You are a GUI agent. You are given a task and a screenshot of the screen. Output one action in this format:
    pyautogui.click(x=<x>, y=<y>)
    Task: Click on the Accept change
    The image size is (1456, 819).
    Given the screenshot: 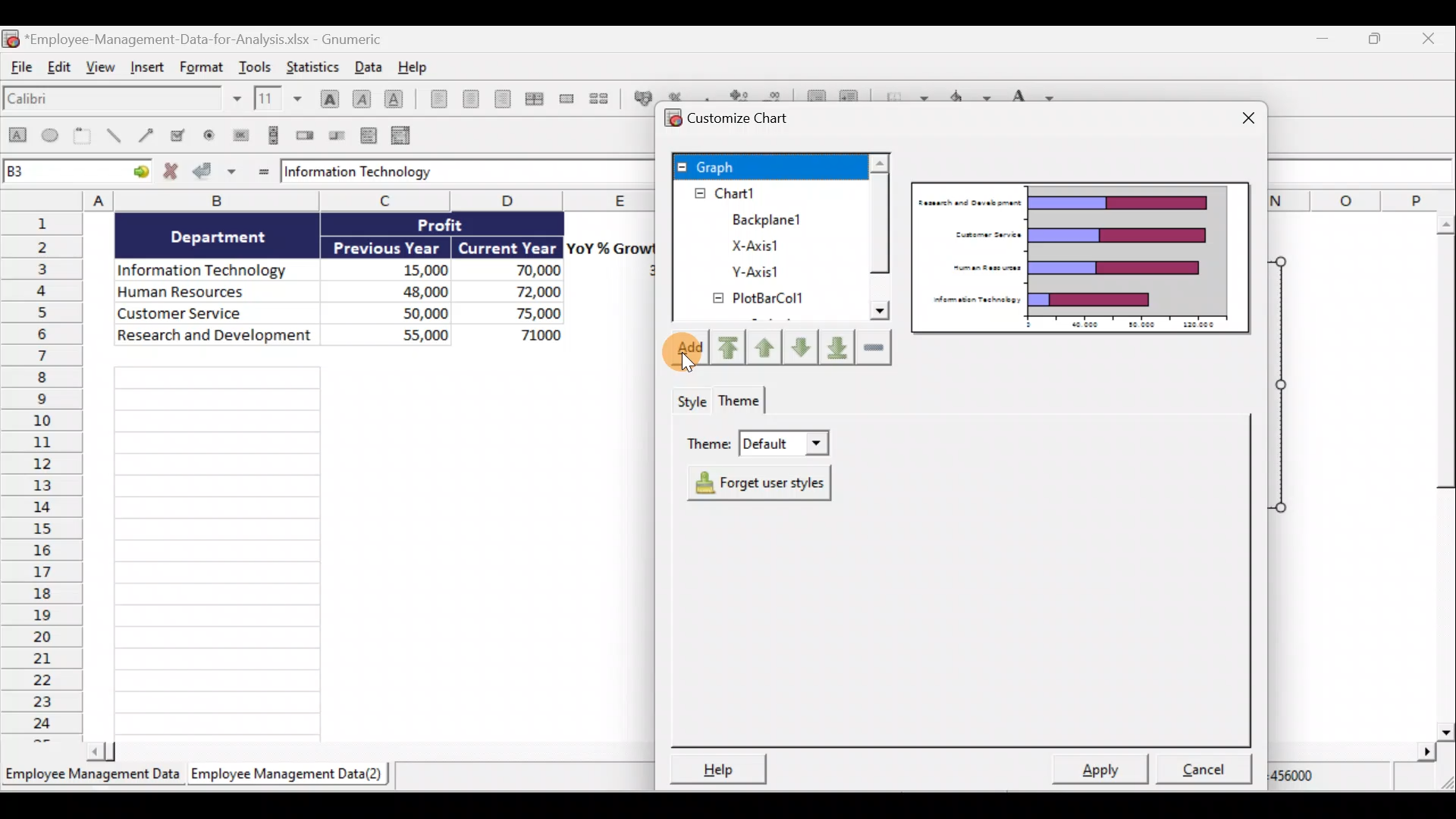 What is the action you would take?
    pyautogui.click(x=217, y=173)
    